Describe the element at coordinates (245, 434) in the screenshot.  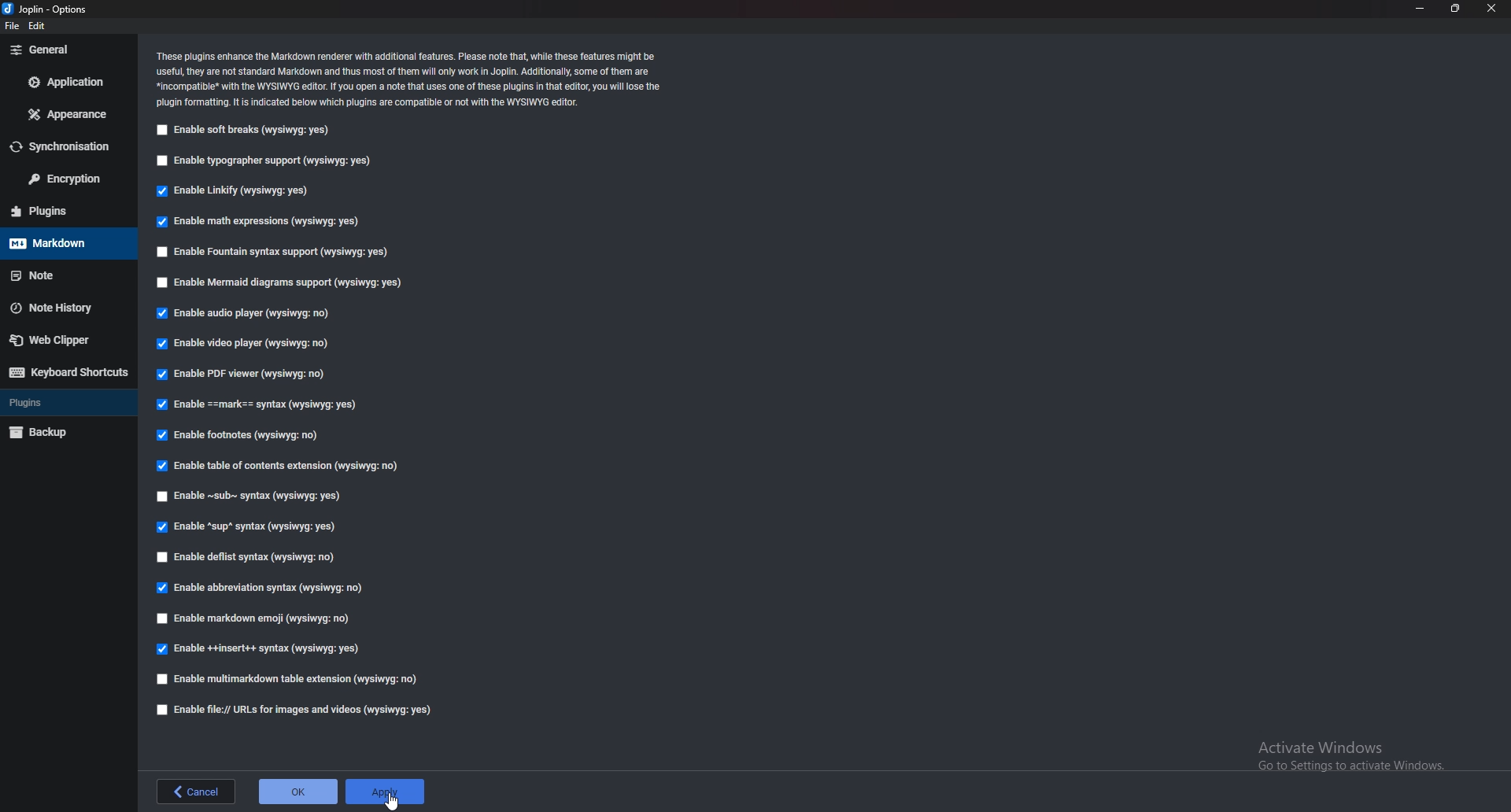
I see `Enable footnotes` at that location.